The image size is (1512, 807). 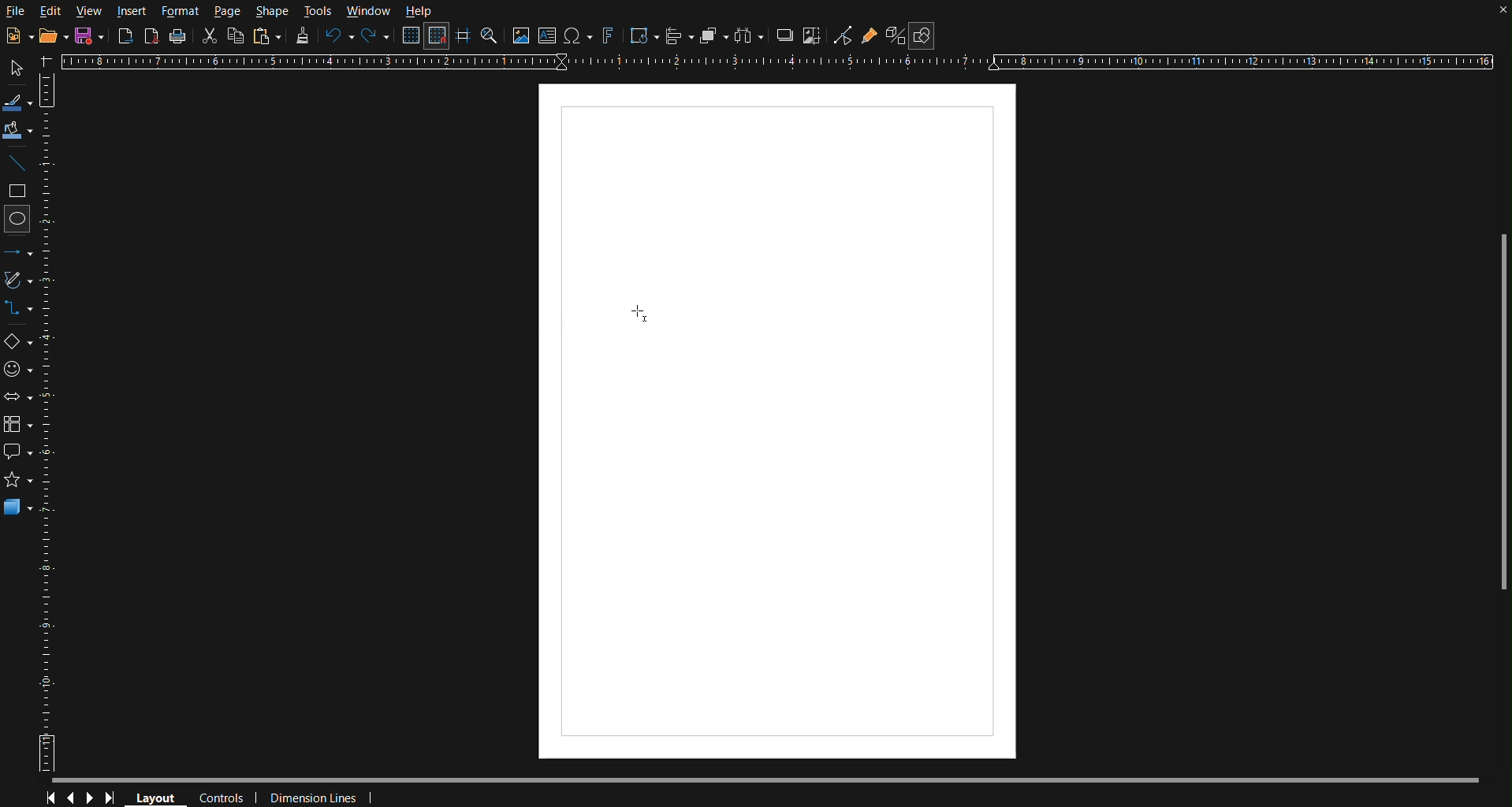 I want to click on 3D Objects, so click(x=23, y=508).